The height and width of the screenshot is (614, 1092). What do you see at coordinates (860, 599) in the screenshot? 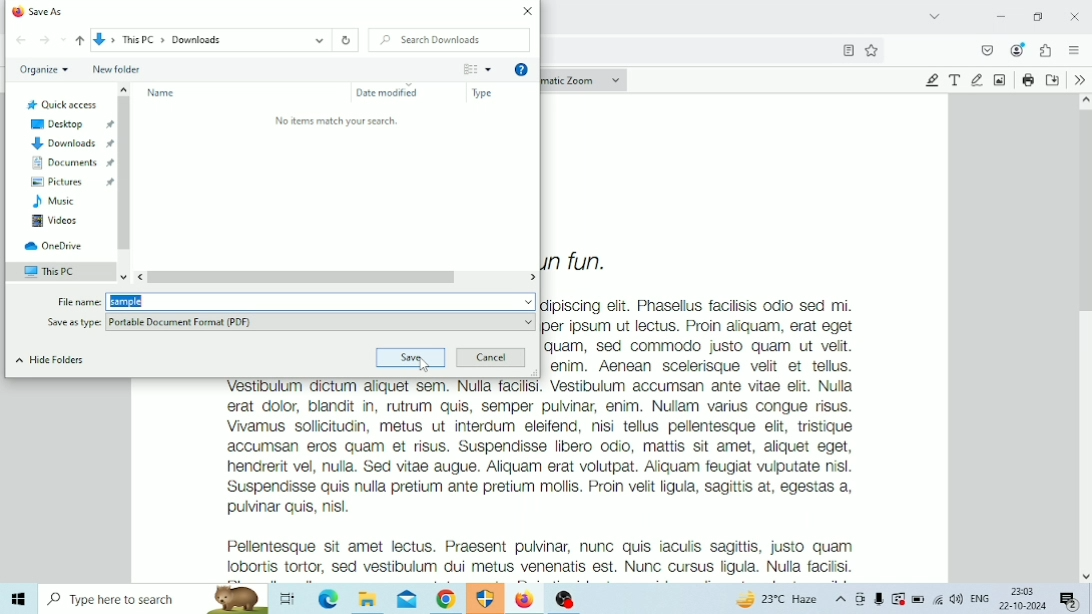
I see `Meet Now` at bounding box center [860, 599].